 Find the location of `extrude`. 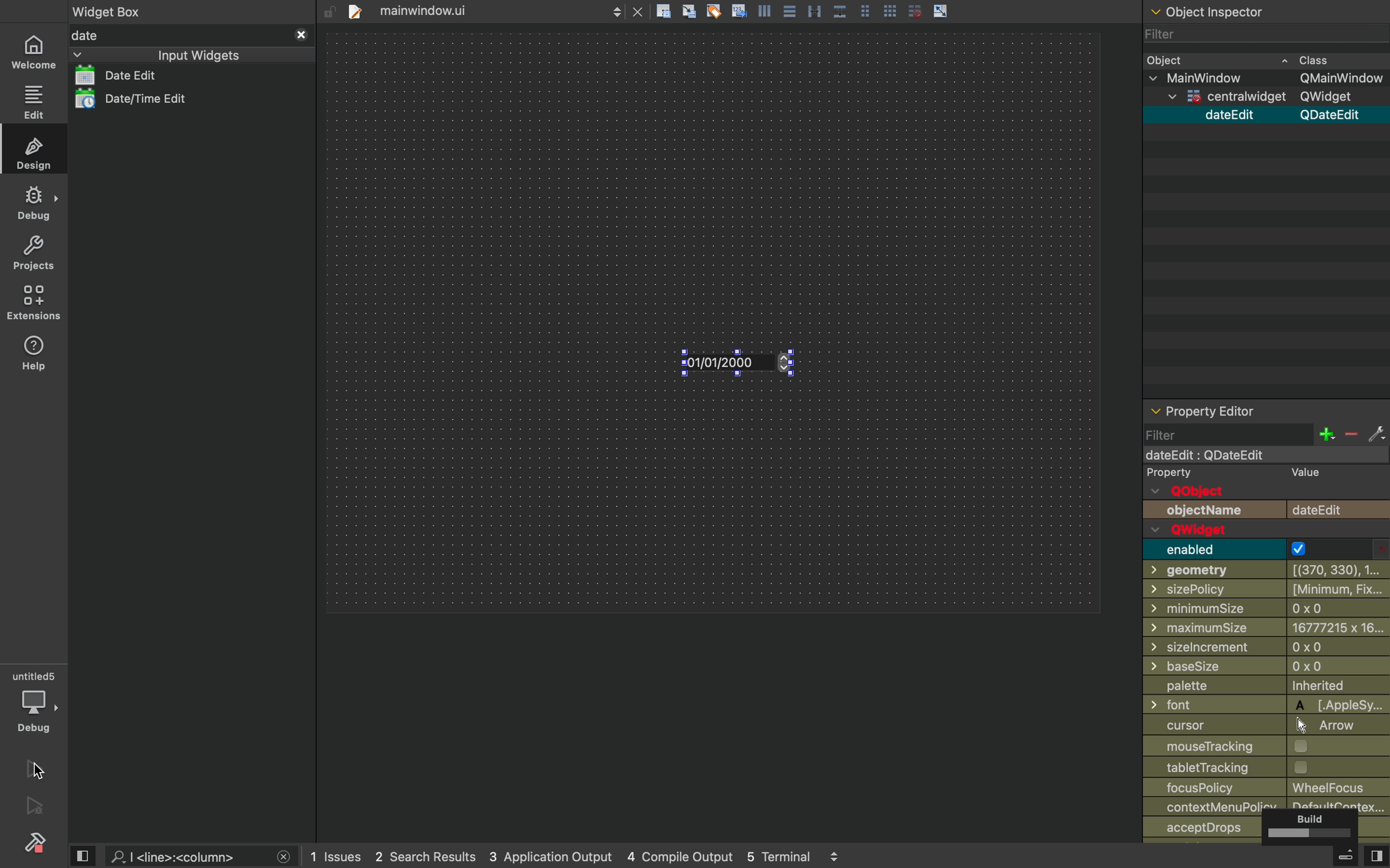

extrude is located at coordinates (1347, 856).